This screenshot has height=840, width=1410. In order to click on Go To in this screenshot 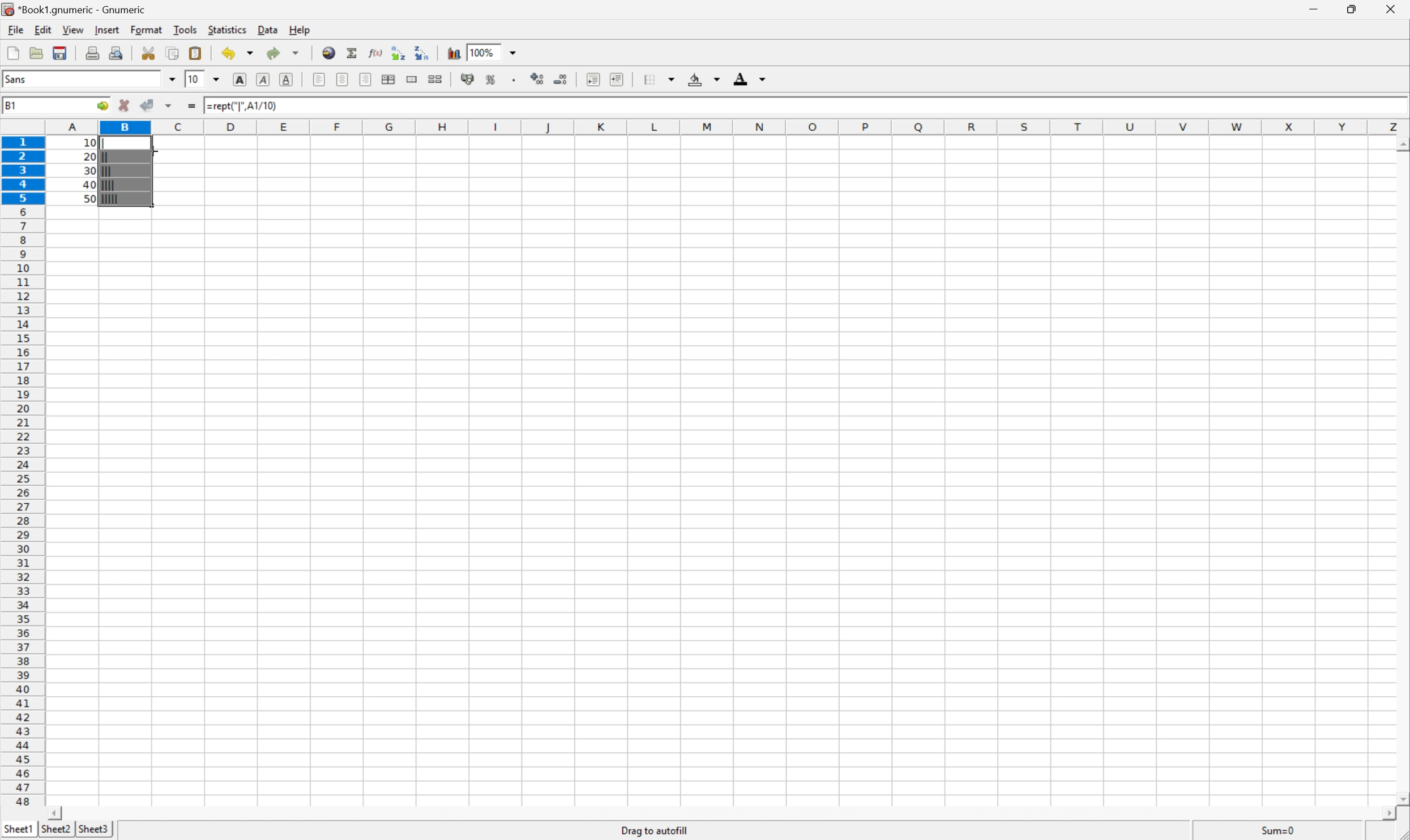, I will do `click(101, 106)`.